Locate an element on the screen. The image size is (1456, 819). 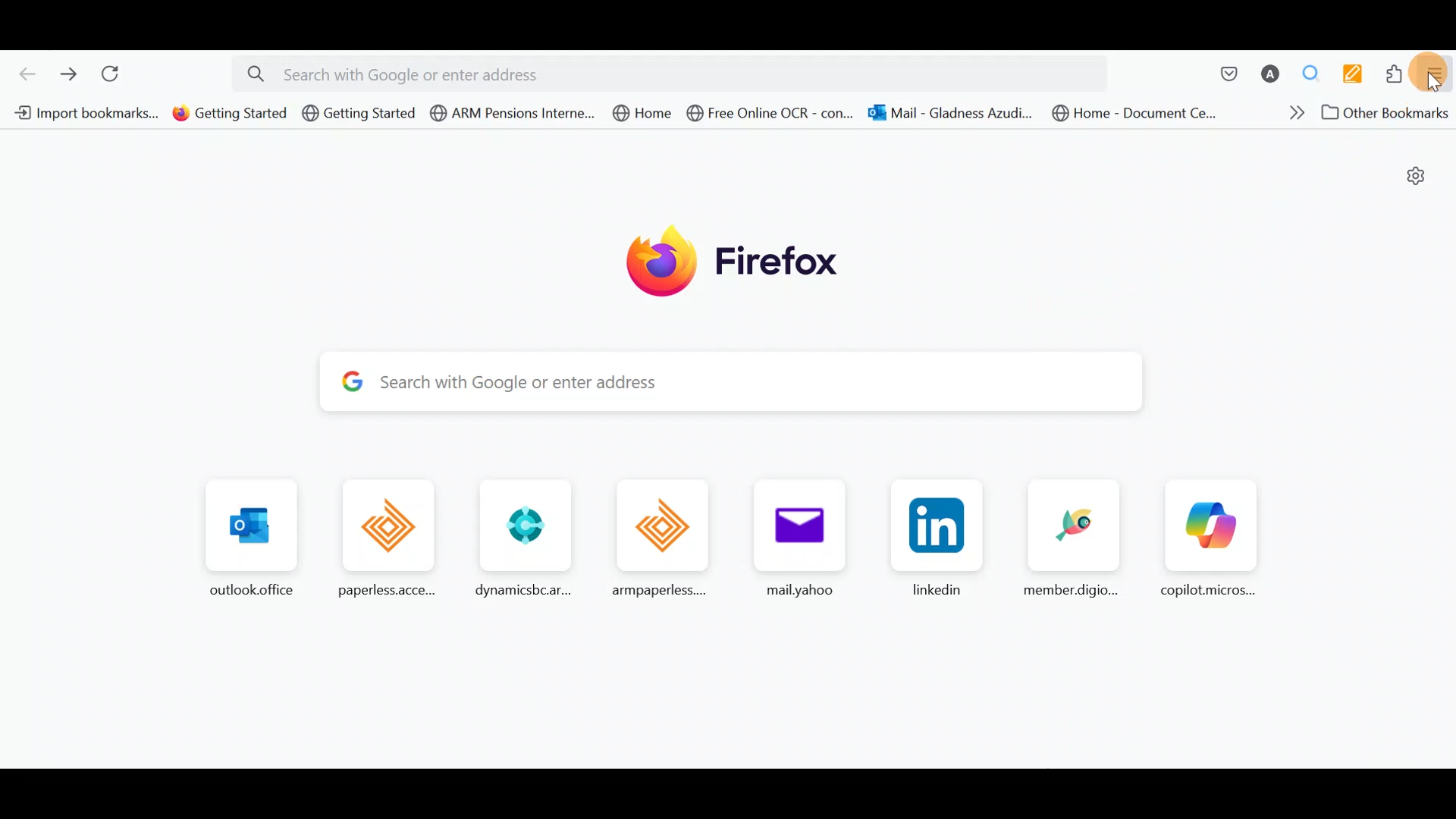
Save to pocket is located at coordinates (1222, 73).